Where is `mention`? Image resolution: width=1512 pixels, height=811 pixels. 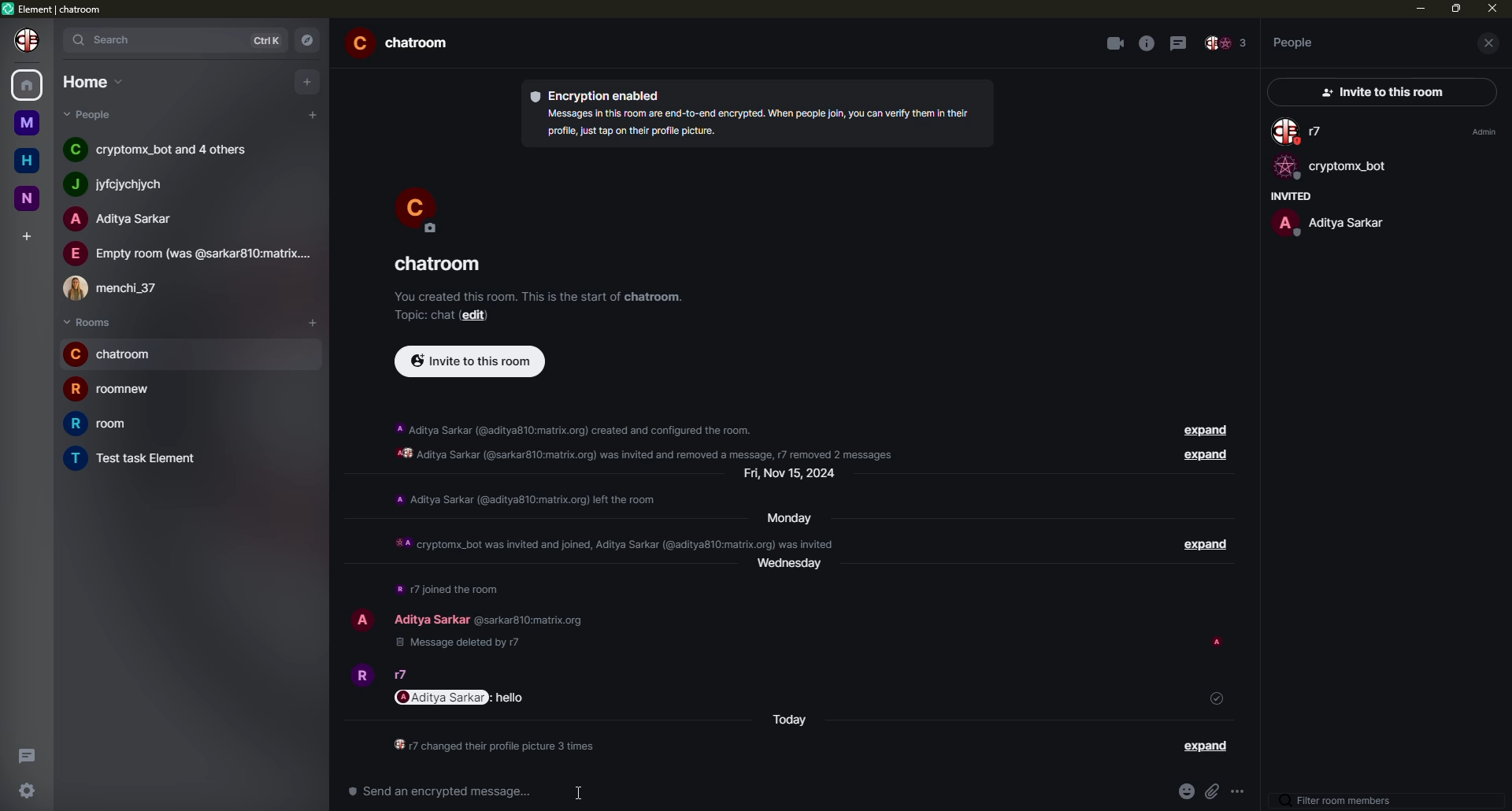
mention is located at coordinates (443, 697).